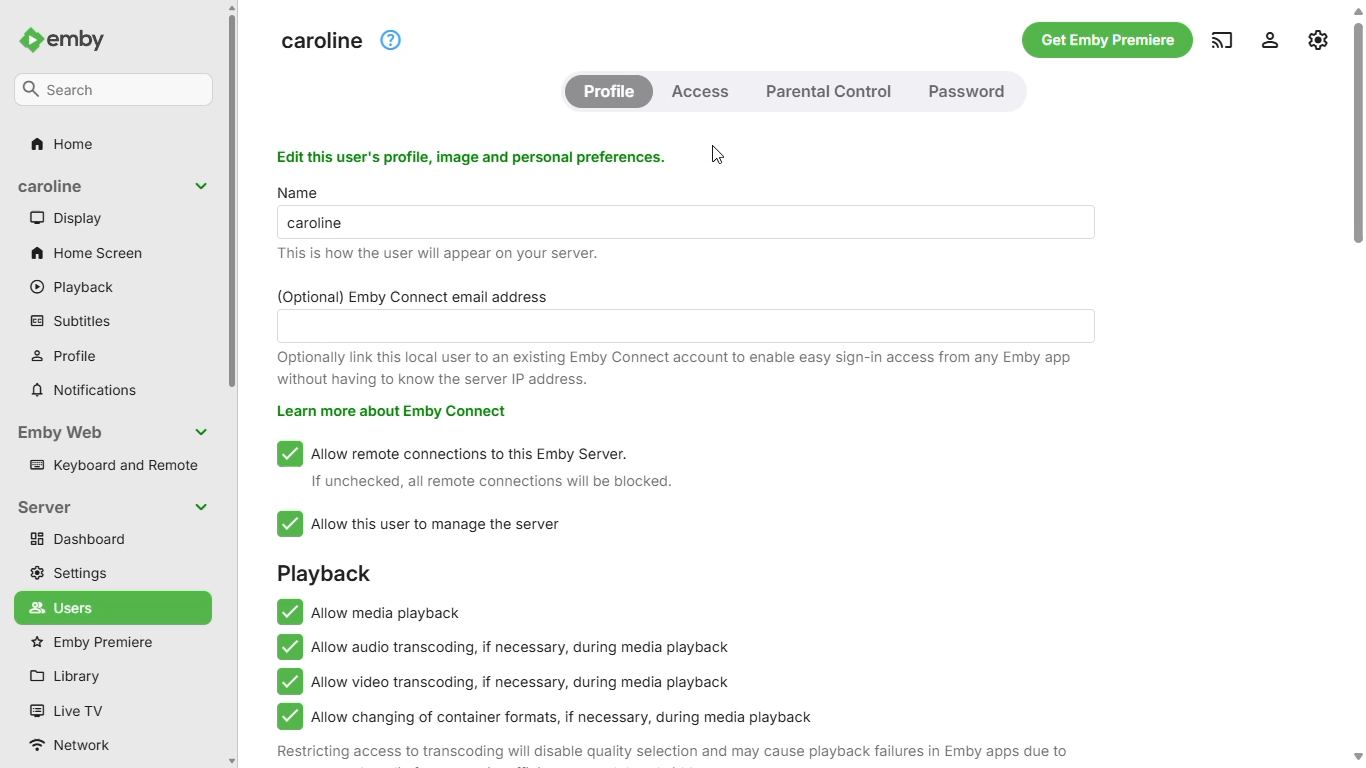 This screenshot has height=768, width=1366. I want to click on help, so click(392, 41).